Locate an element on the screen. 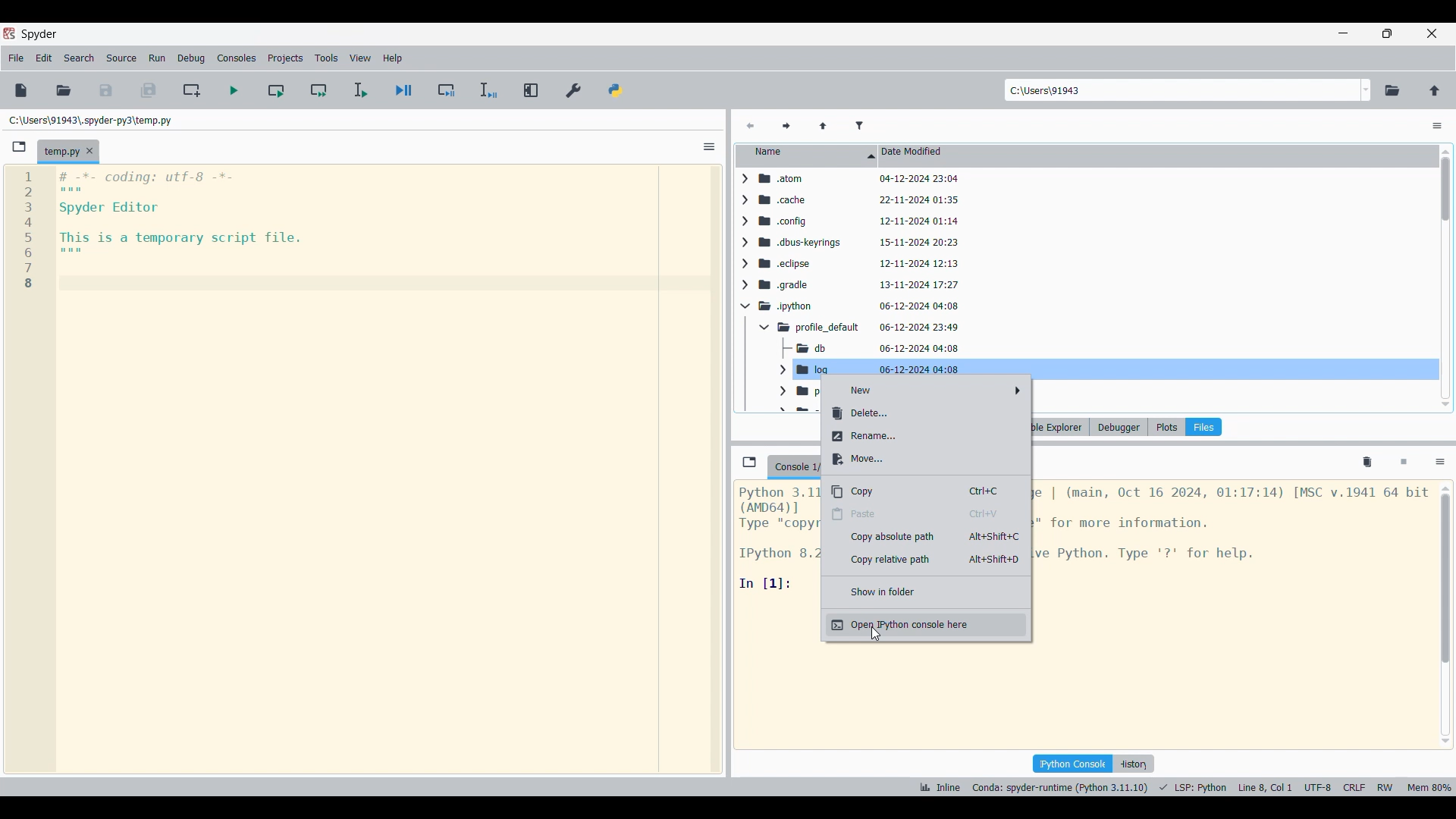  Plots is located at coordinates (1166, 427).